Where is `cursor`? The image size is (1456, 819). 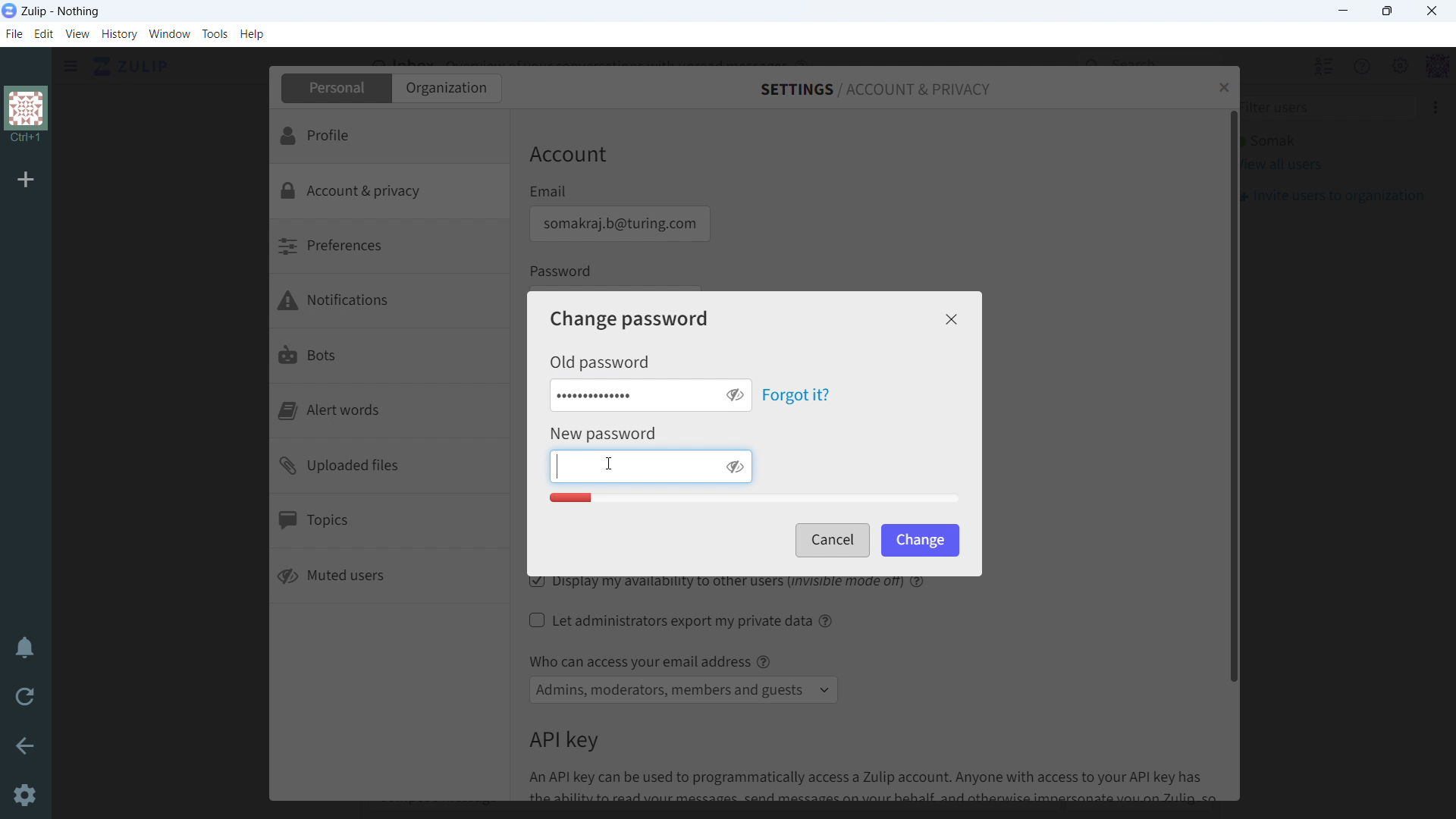 cursor is located at coordinates (611, 463).